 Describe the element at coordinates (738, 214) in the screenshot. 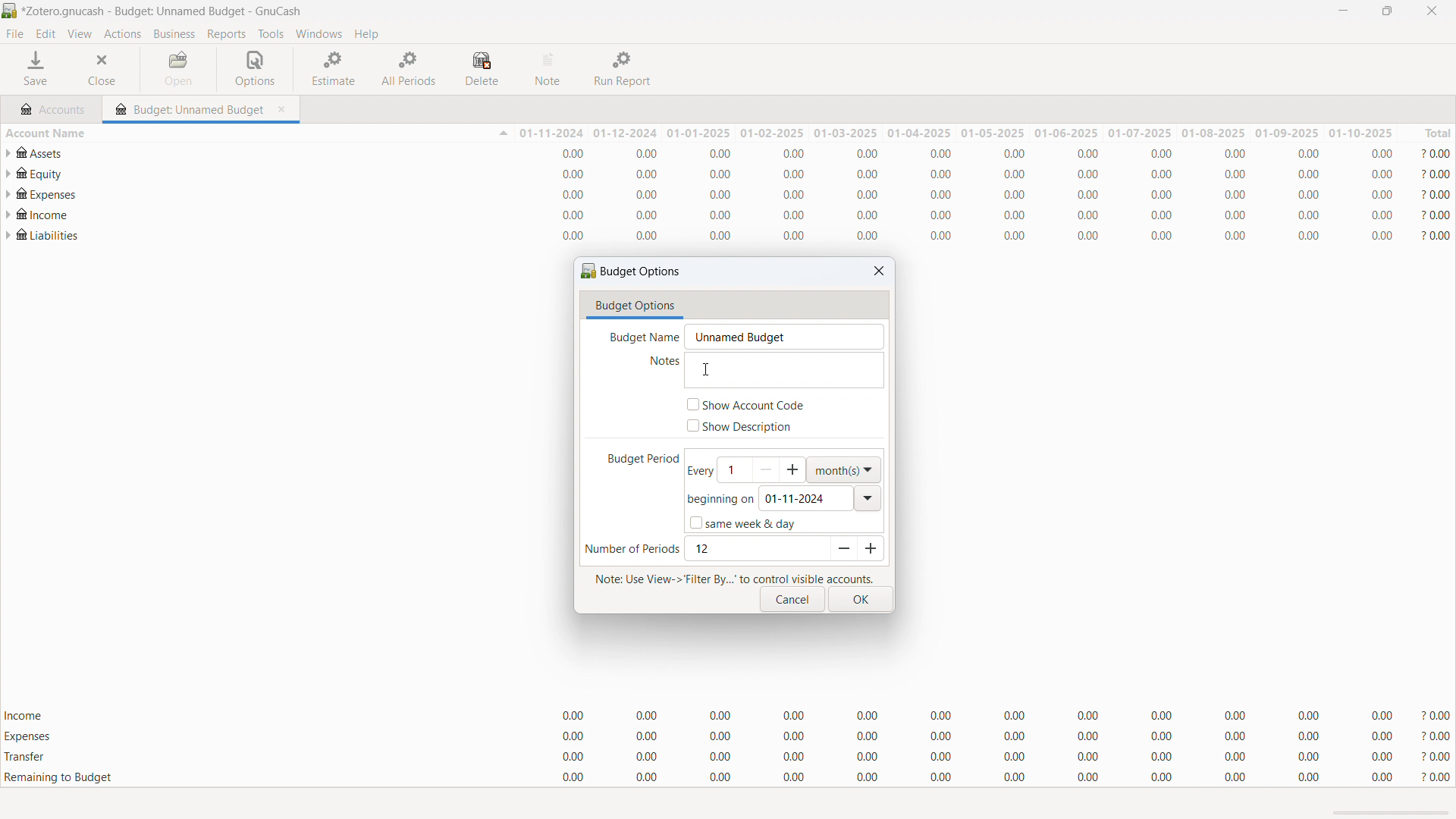

I see `account statement for "Income"` at that location.